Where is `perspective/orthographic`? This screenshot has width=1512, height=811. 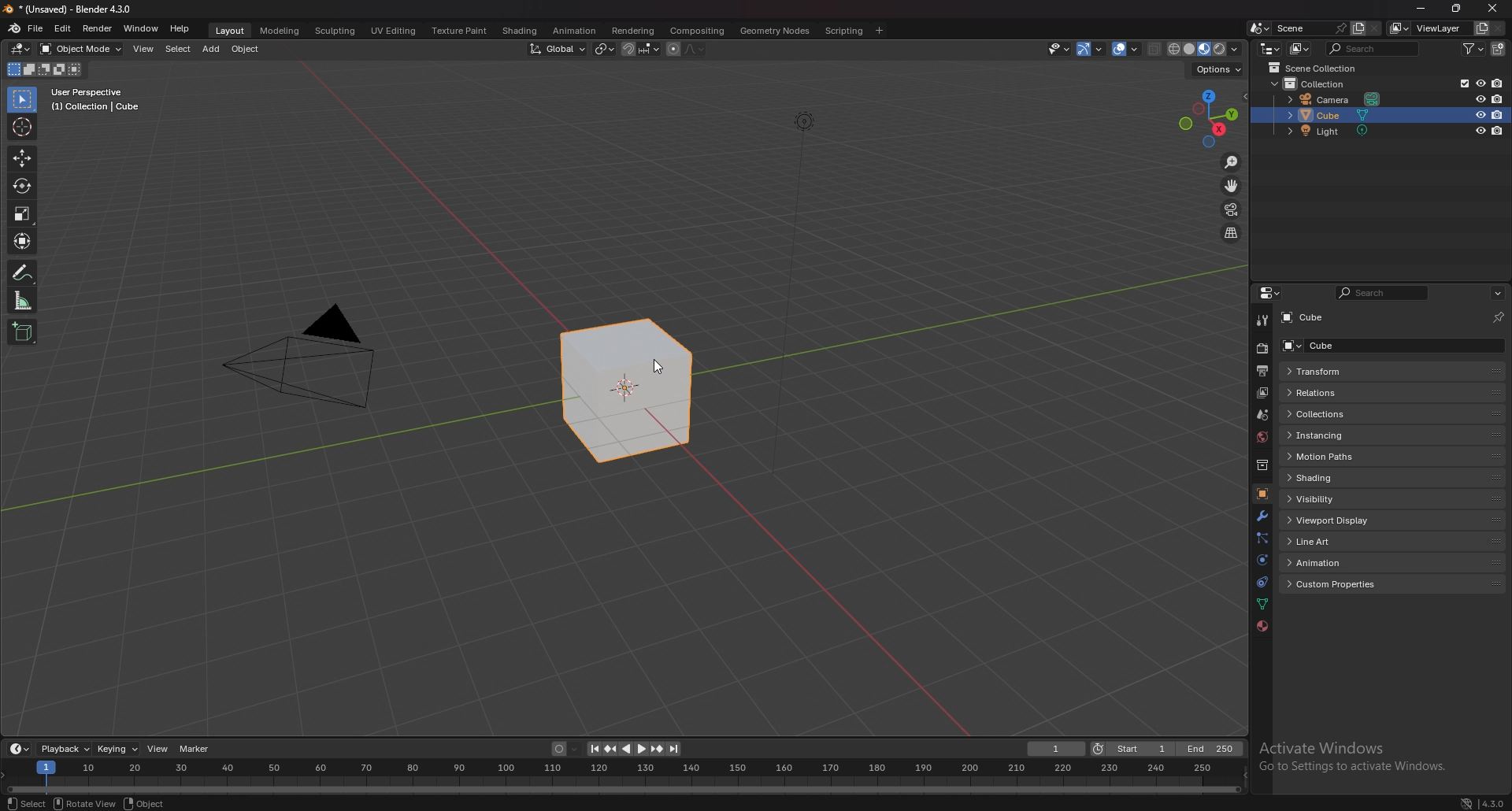 perspective/orthographic is located at coordinates (1232, 234).